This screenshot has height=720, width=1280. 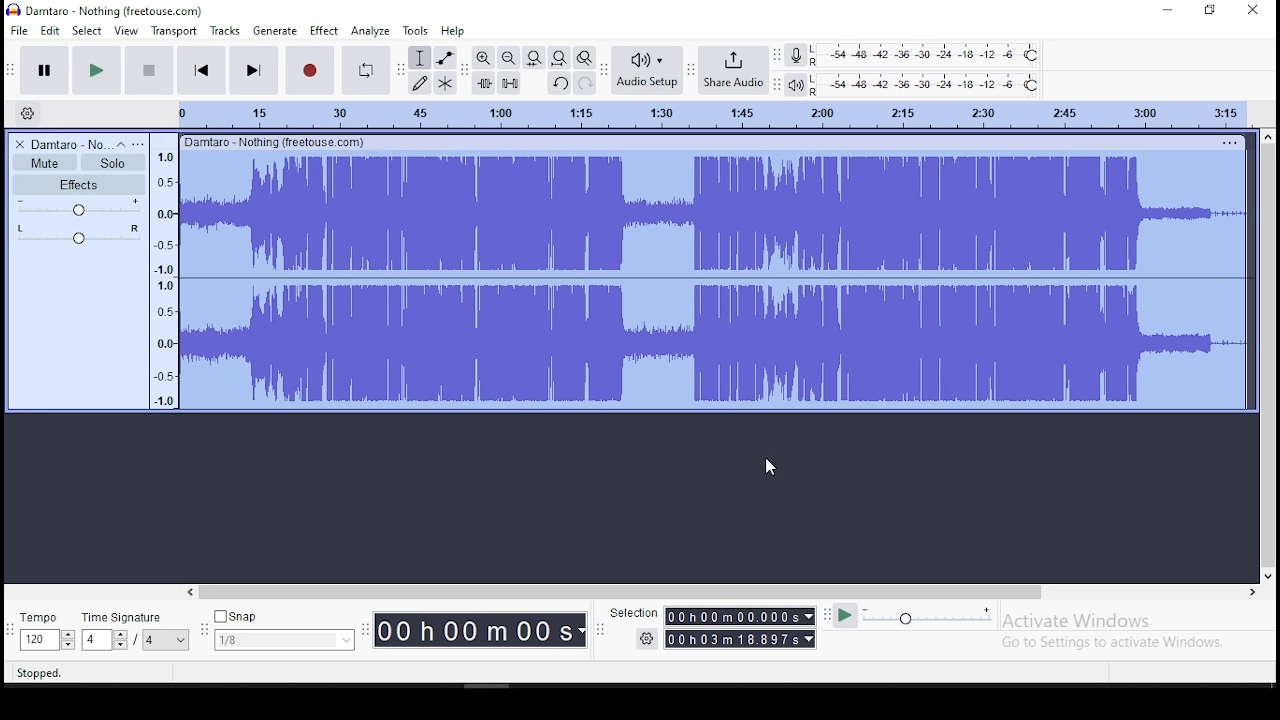 I want to click on view, so click(x=126, y=30).